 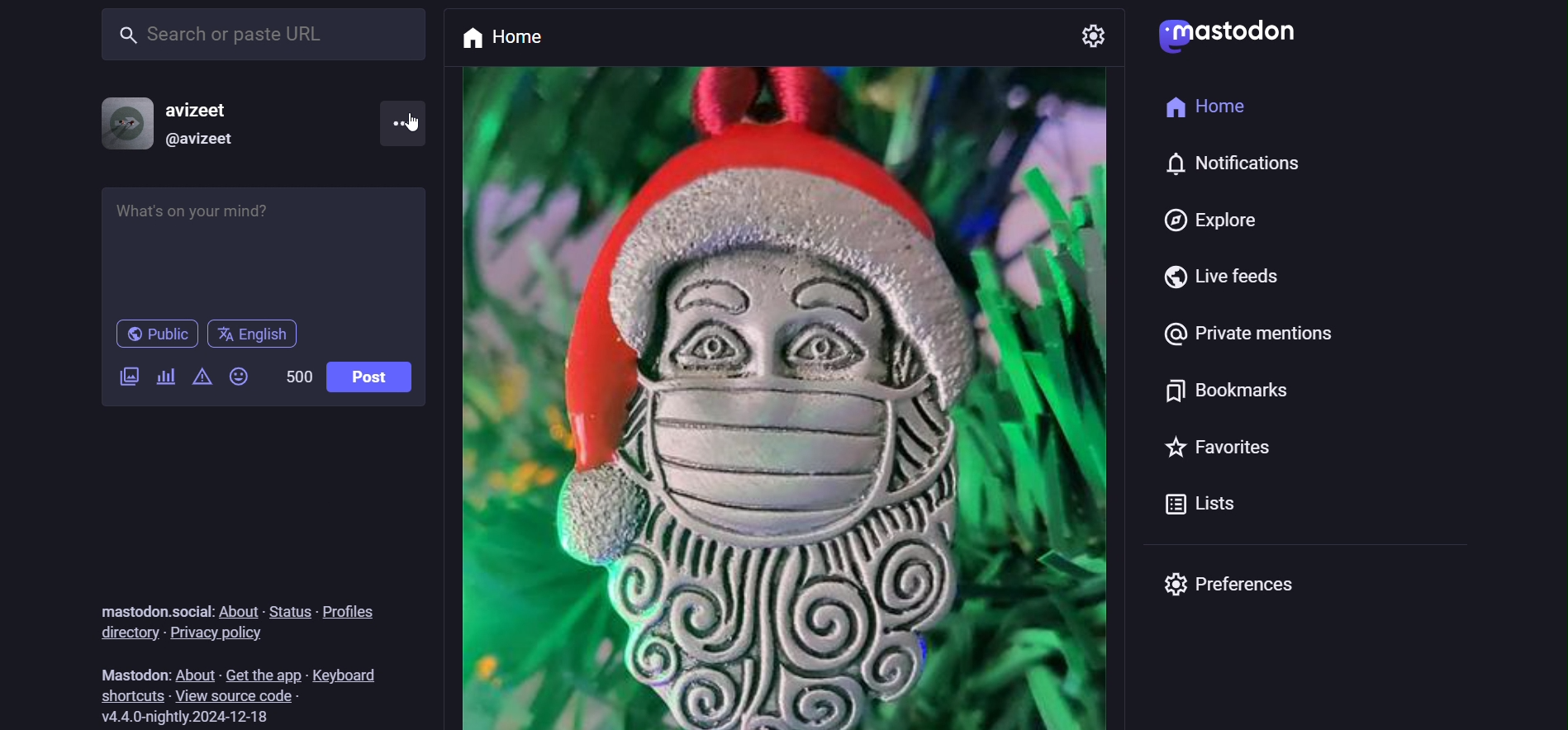 What do you see at coordinates (257, 36) in the screenshot?
I see `search or paste URL` at bounding box center [257, 36].